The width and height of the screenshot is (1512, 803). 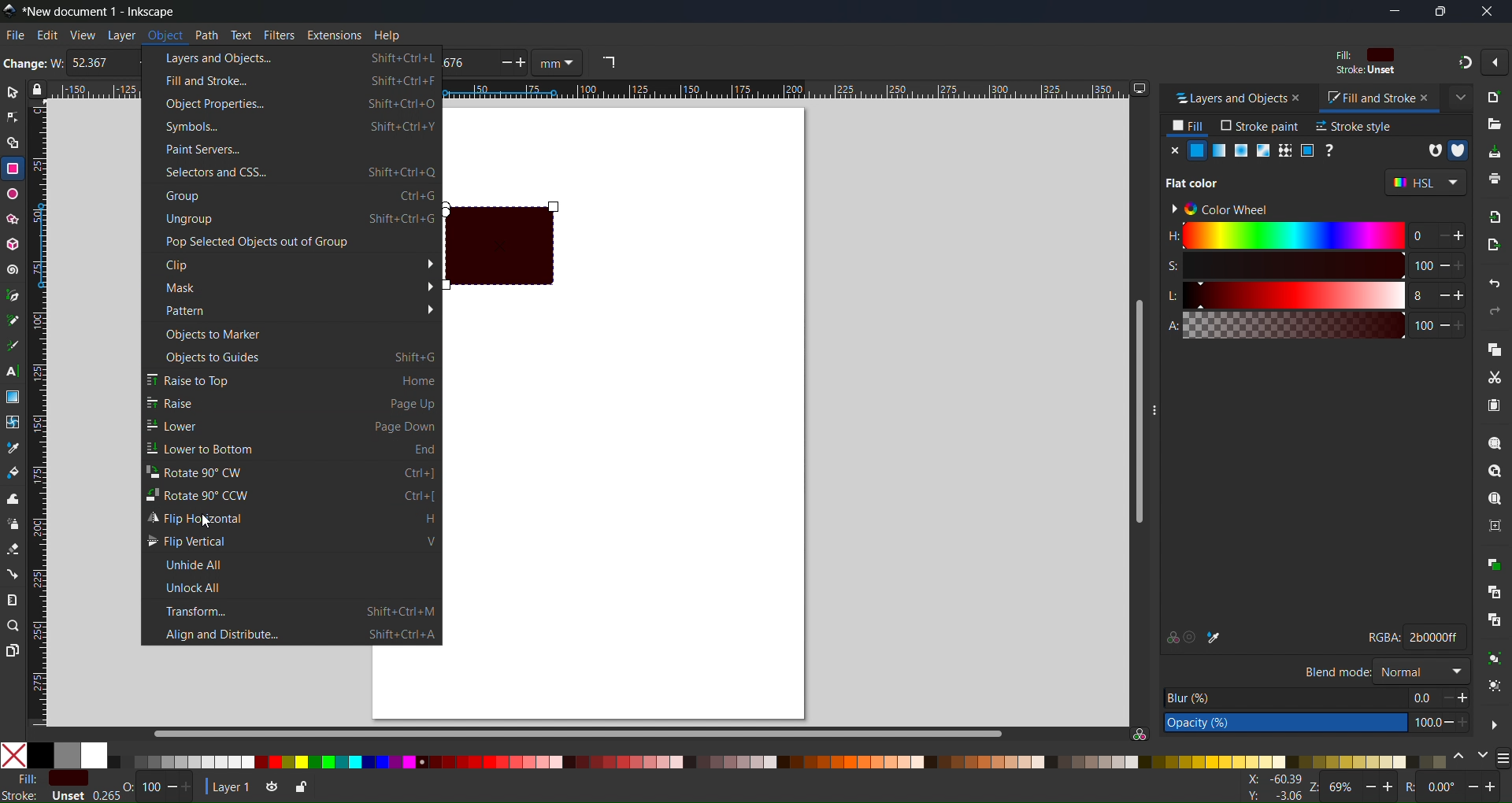 What do you see at coordinates (1424, 723) in the screenshot?
I see `current opacity: 100` at bounding box center [1424, 723].